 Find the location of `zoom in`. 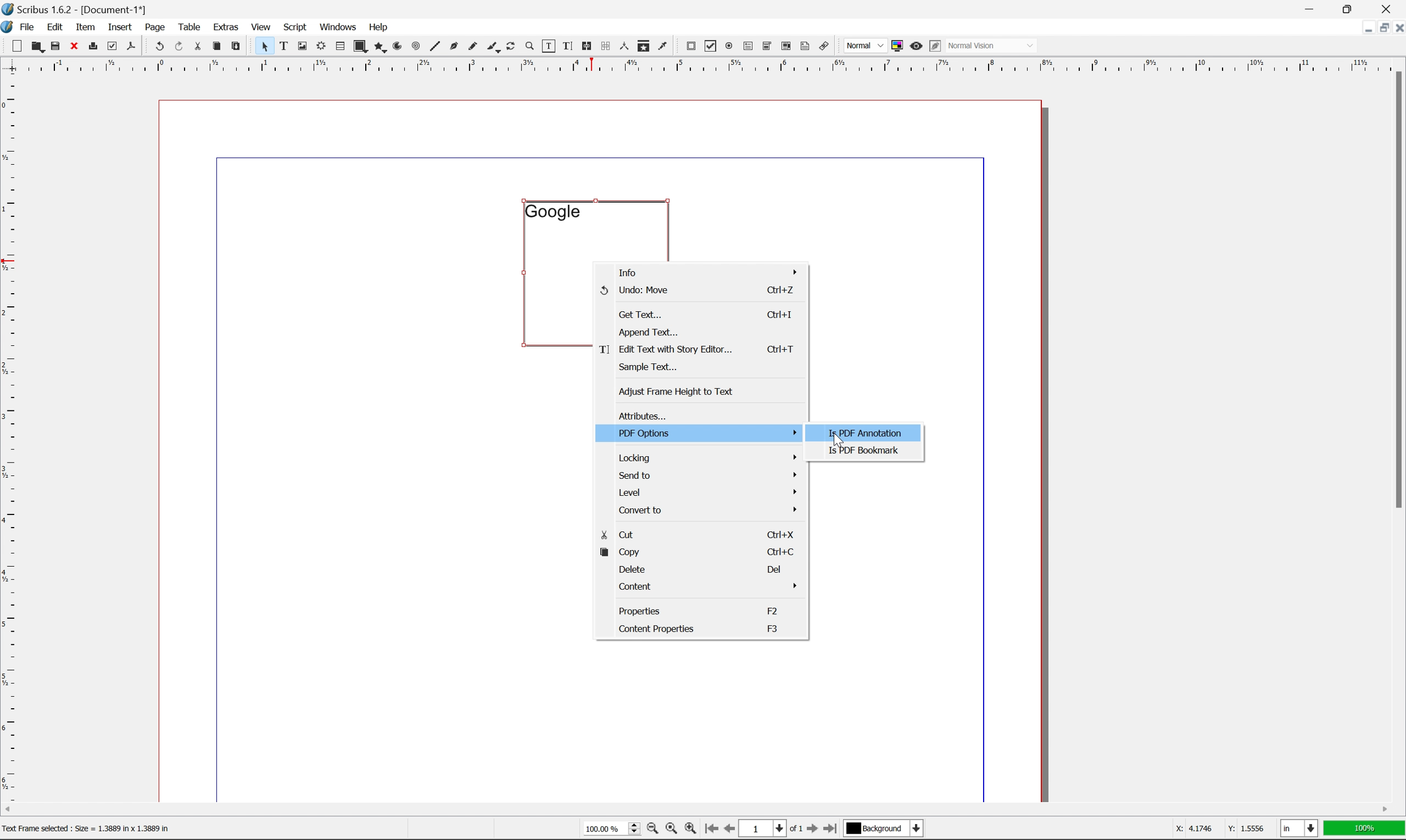

zoom in is located at coordinates (690, 829).